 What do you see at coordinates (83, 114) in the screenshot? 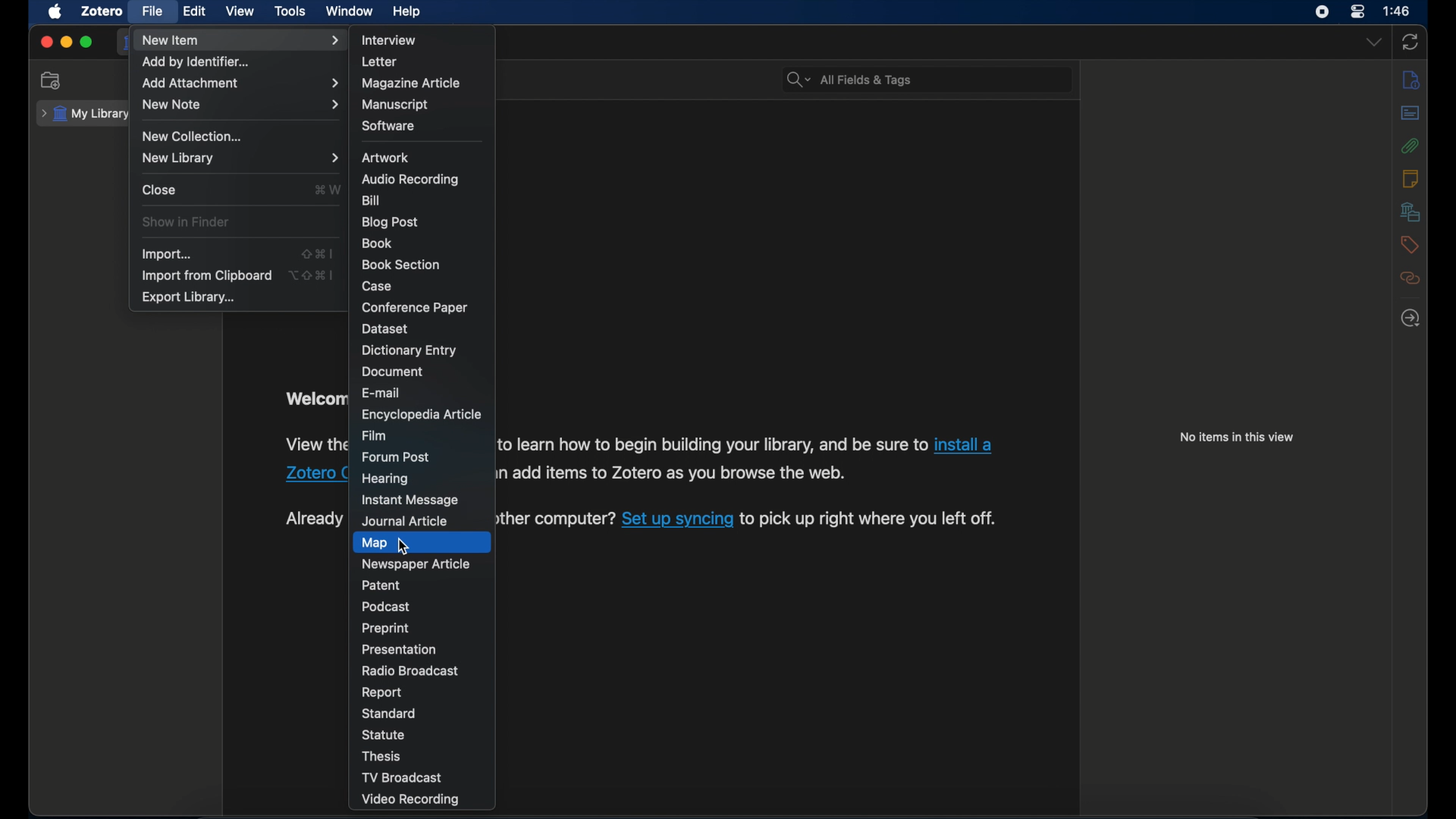
I see `my library` at bounding box center [83, 114].